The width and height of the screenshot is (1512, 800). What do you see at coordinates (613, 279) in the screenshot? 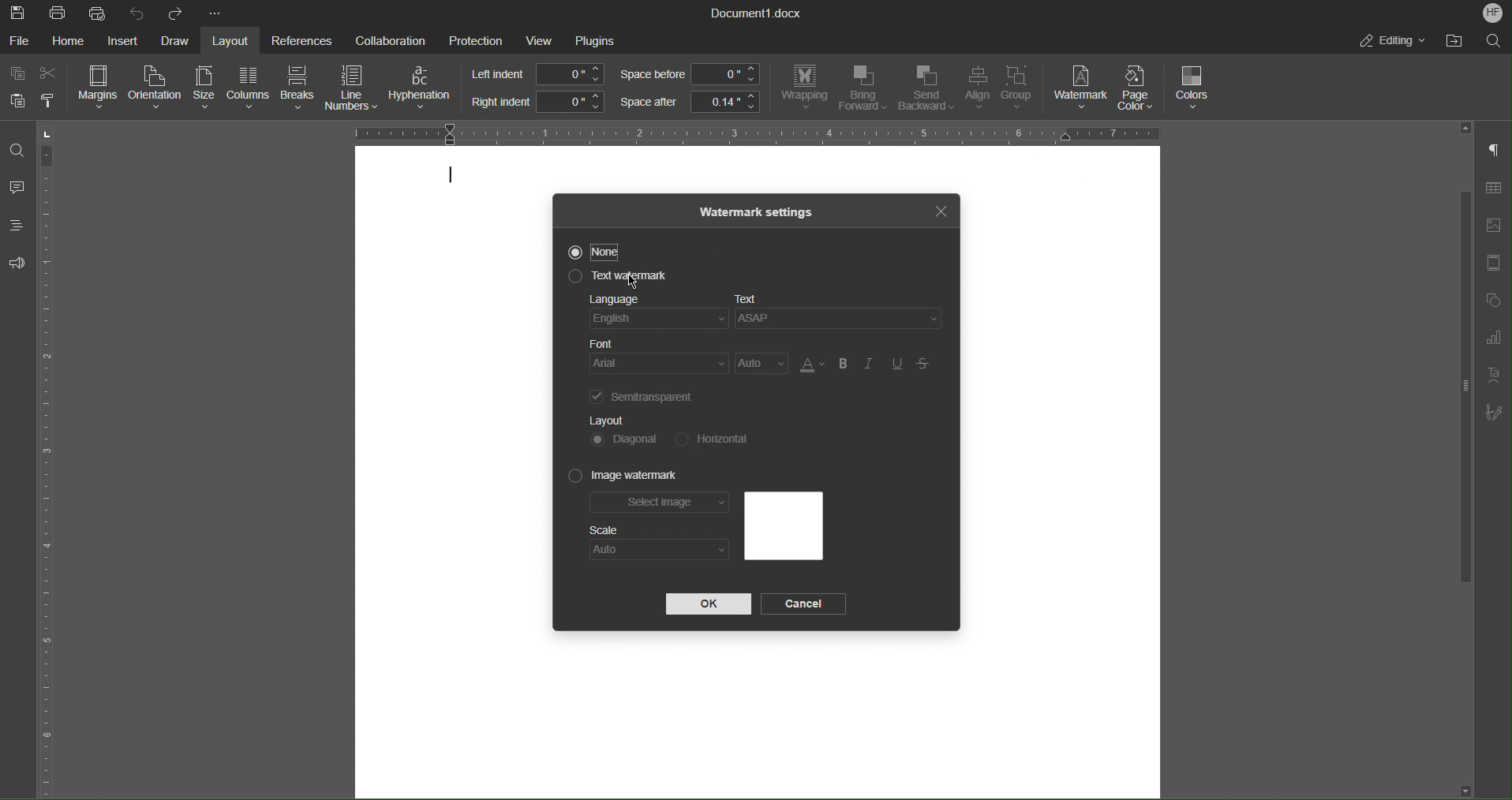
I see `Text watermark` at bounding box center [613, 279].